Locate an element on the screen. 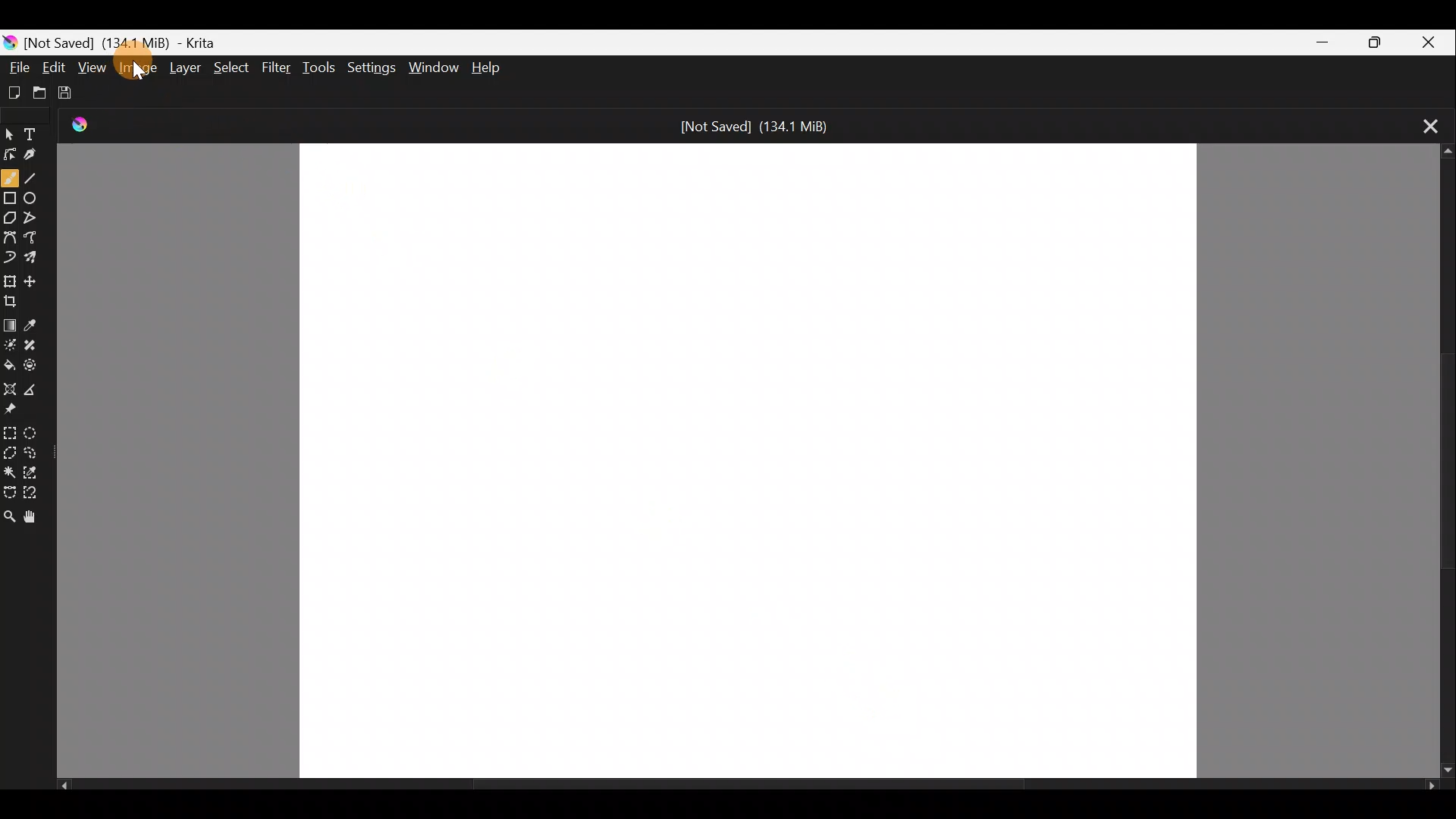 This screenshot has width=1456, height=819. Canvas is located at coordinates (748, 460).